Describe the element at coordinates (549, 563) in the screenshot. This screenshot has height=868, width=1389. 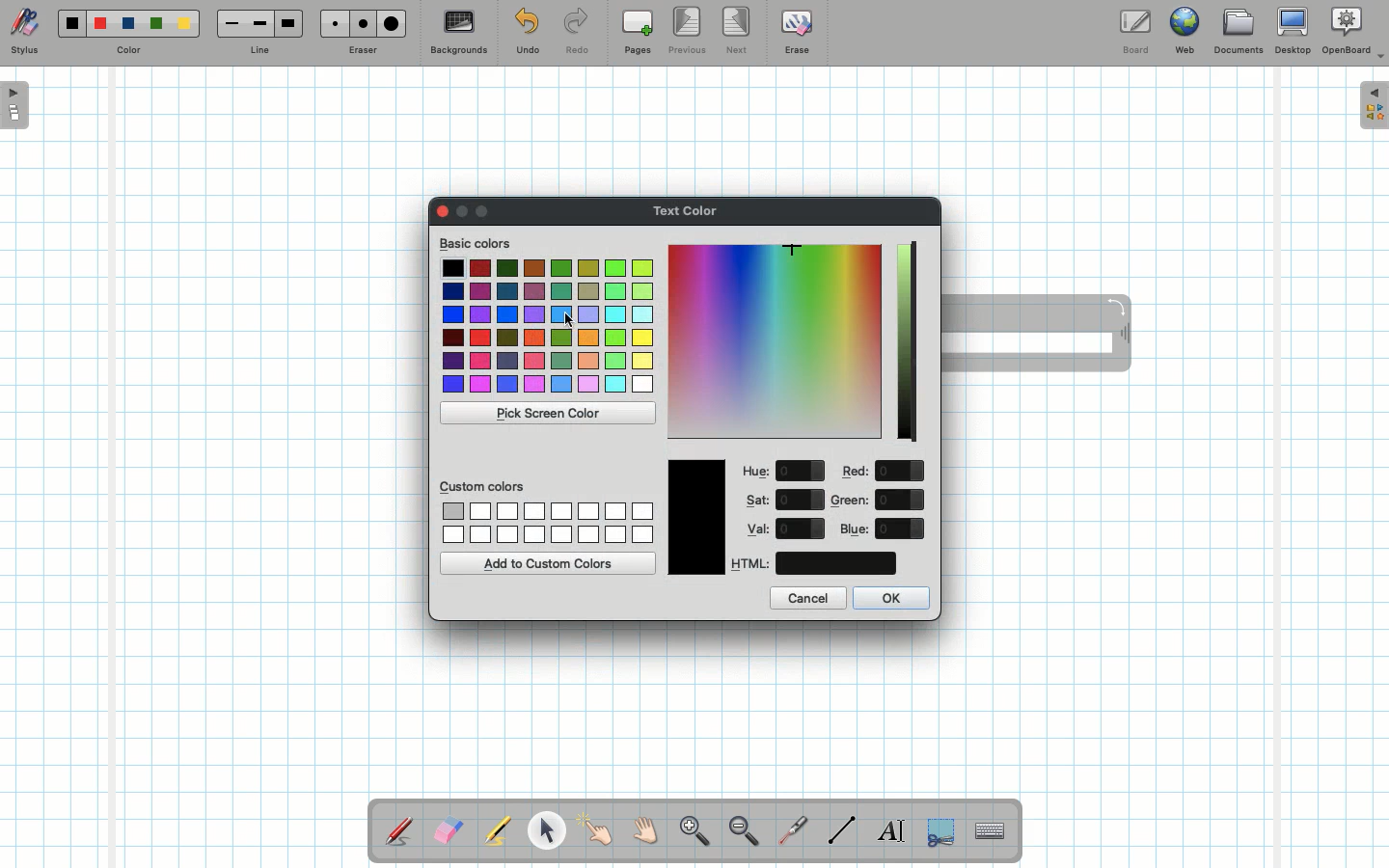
I see `Add to custom colors` at that location.